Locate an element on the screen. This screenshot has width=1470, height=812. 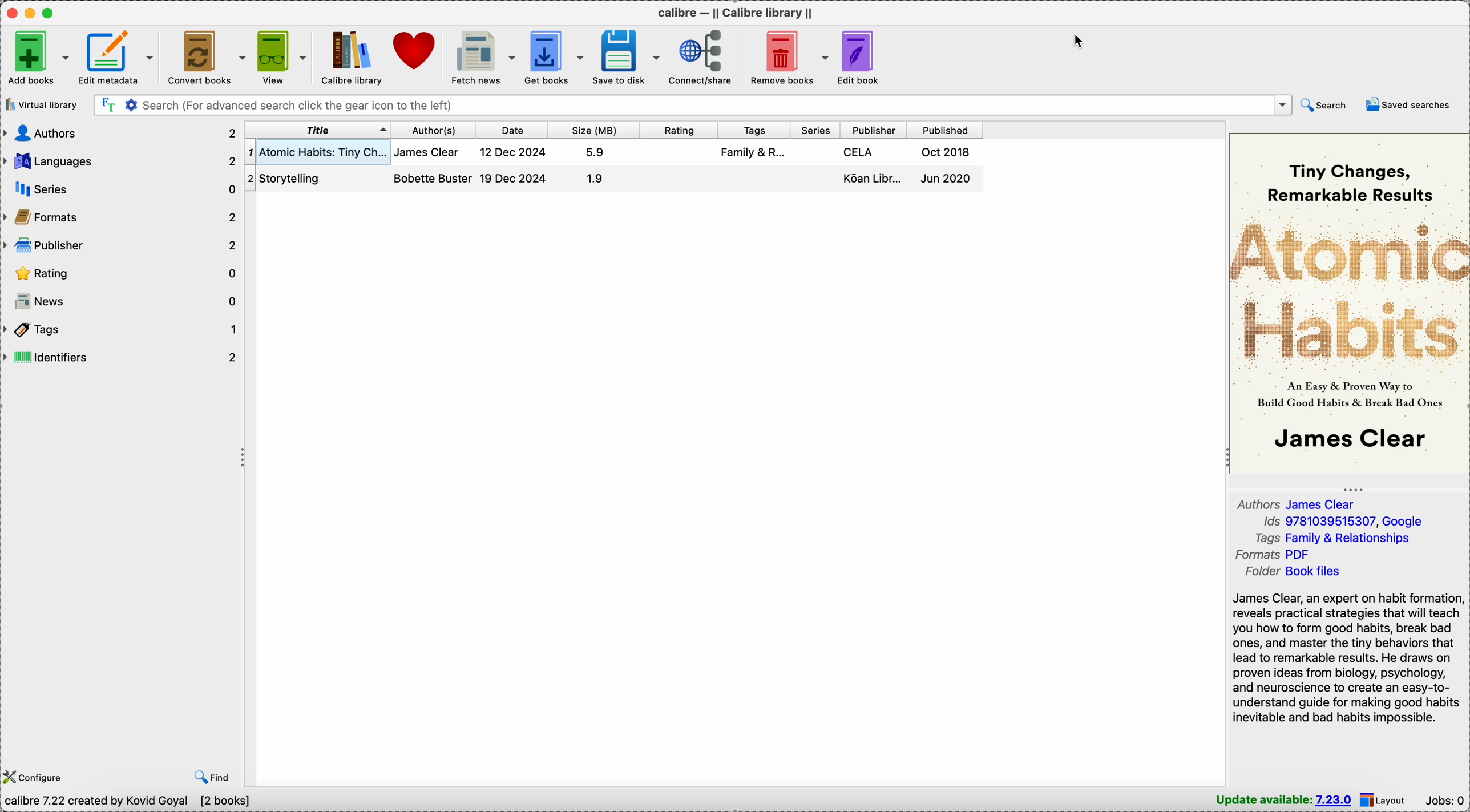
atomic habits is located at coordinates (316, 152).